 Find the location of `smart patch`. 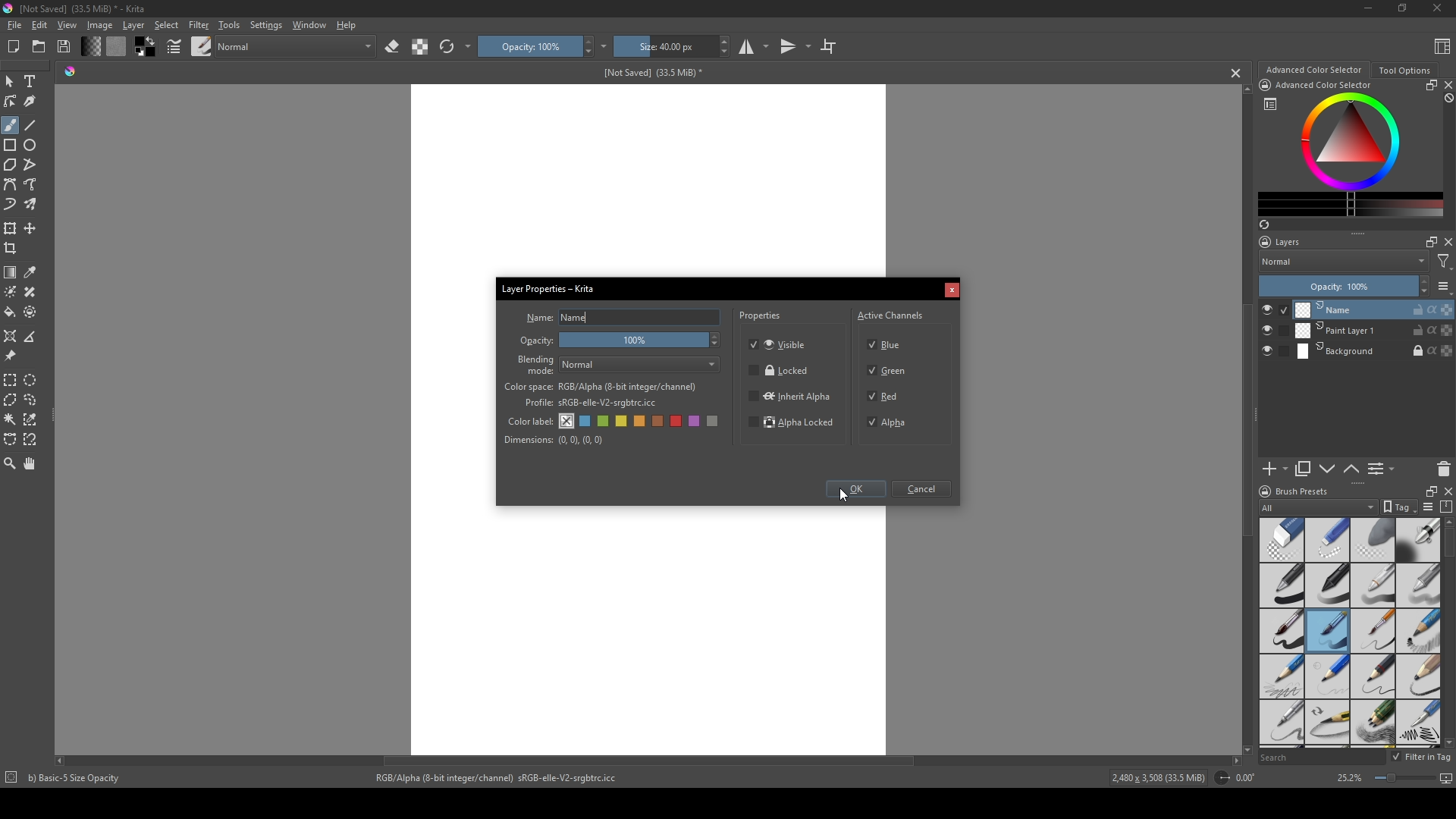

smart patch is located at coordinates (33, 292).